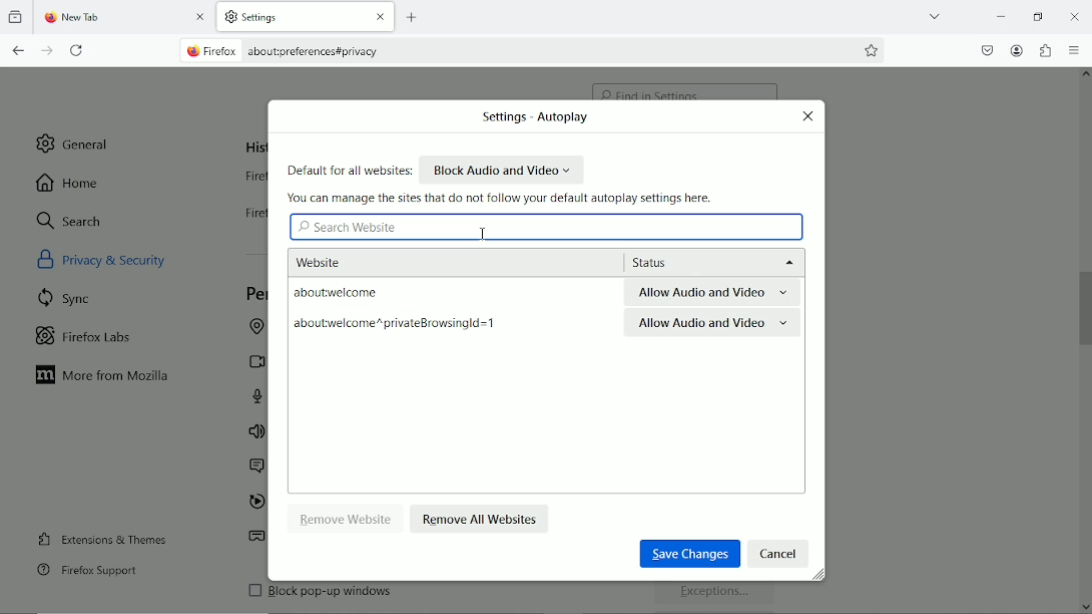  What do you see at coordinates (934, 15) in the screenshot?
I see `List all tabs` at bounding box center [934, 15].